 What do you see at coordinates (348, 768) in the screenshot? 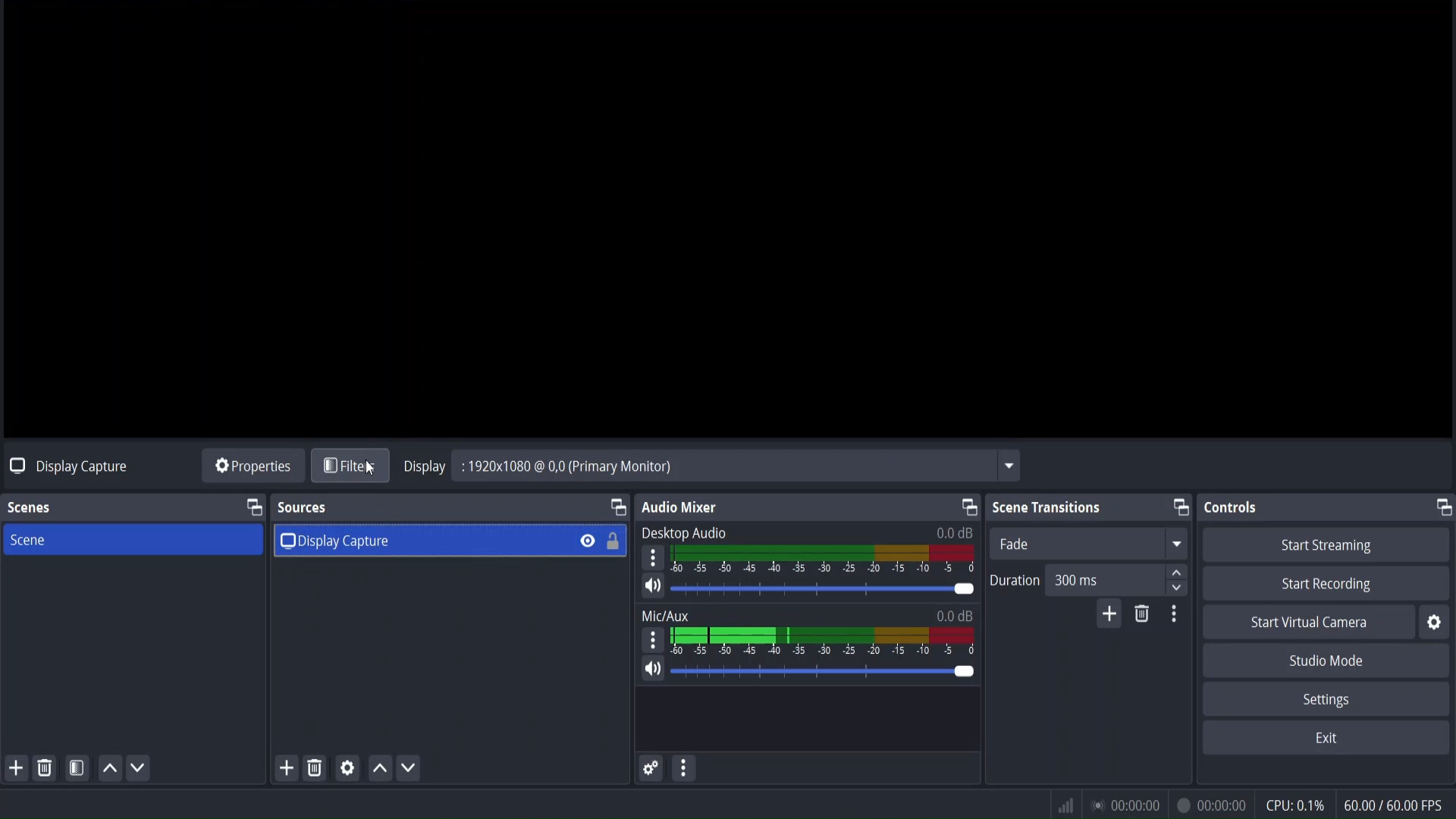
I see `media source properties` at bounding box center [348, 768].